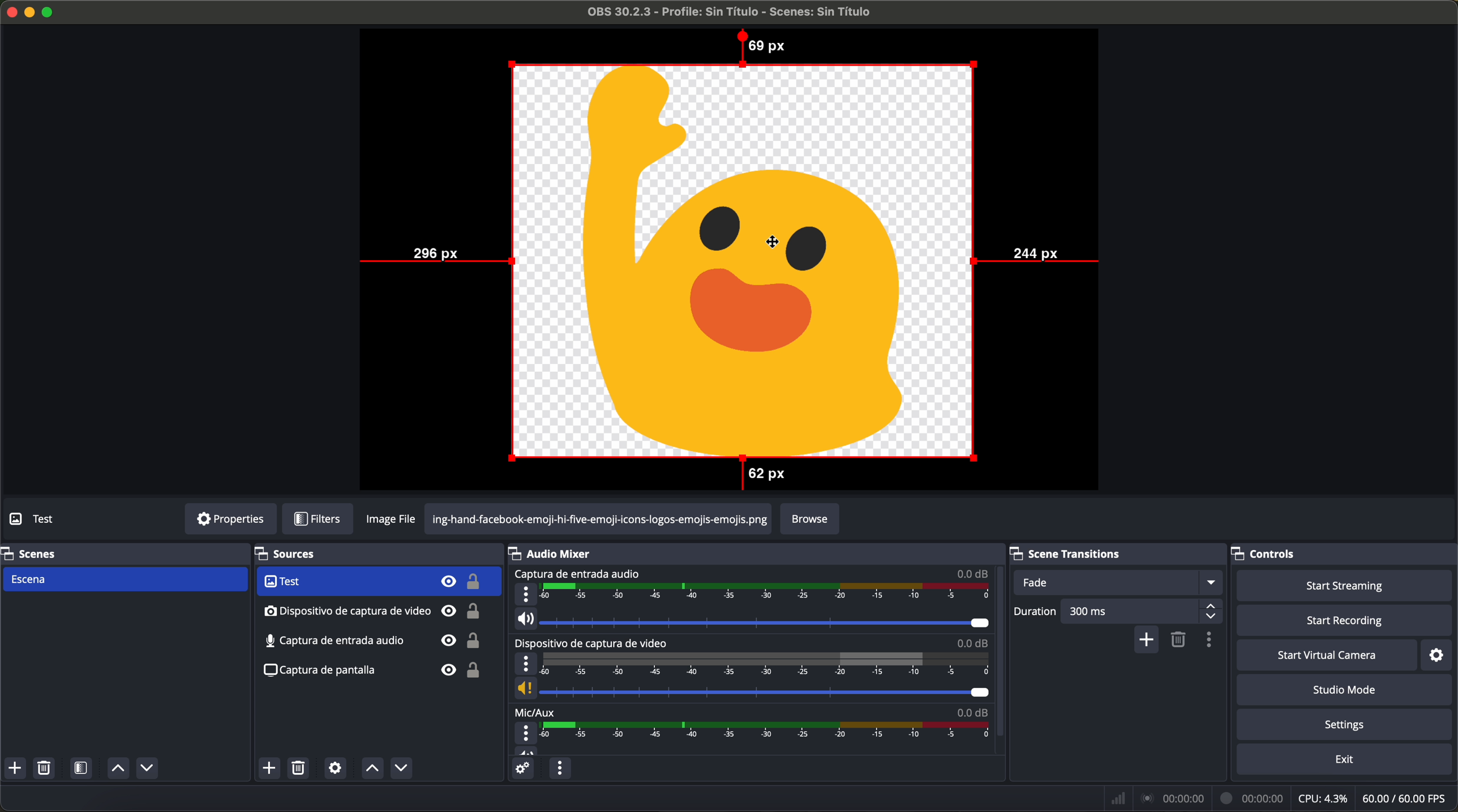 The width and height of the screenshot is (1458, 812). Describe the element at coordinates (1442, 654) in the screenshot. I see `settings` at that location.